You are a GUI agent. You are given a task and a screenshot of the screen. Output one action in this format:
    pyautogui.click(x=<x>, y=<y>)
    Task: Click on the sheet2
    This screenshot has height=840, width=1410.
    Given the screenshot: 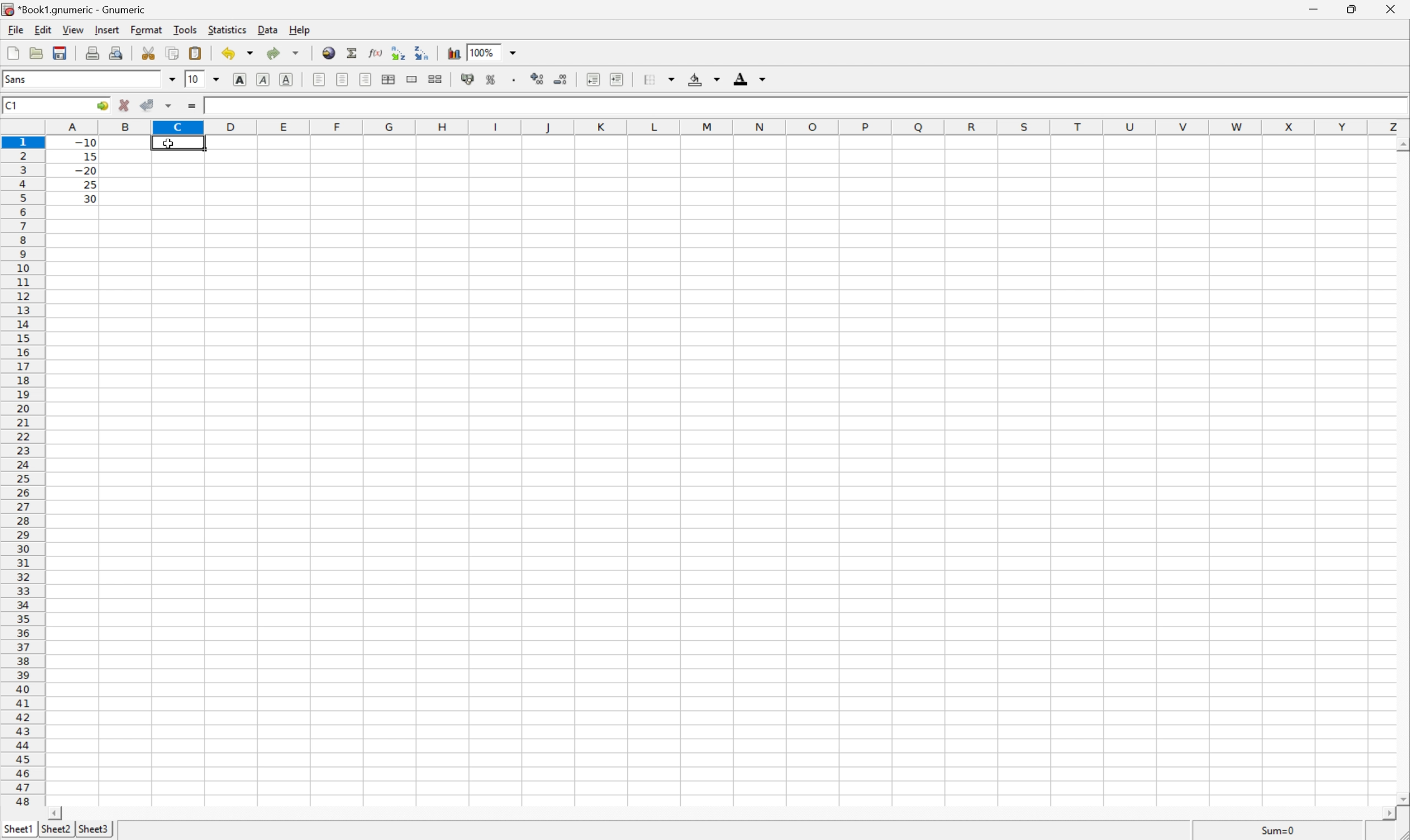 What is the action you would take?
    pyautogui.click(x=55, y=830)
    